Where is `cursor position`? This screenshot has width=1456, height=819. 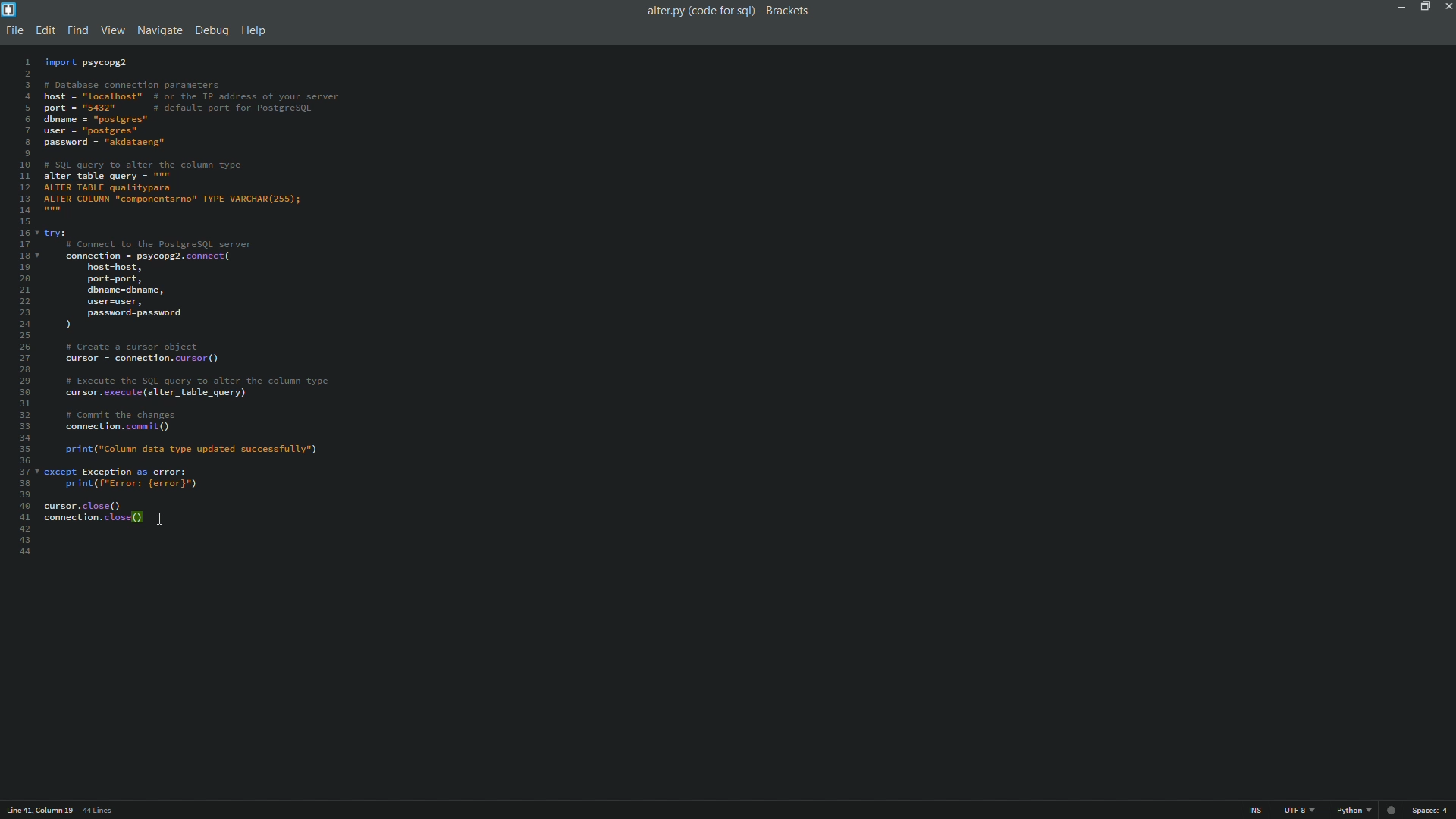 cursor position is located at coordinates (39, 809).